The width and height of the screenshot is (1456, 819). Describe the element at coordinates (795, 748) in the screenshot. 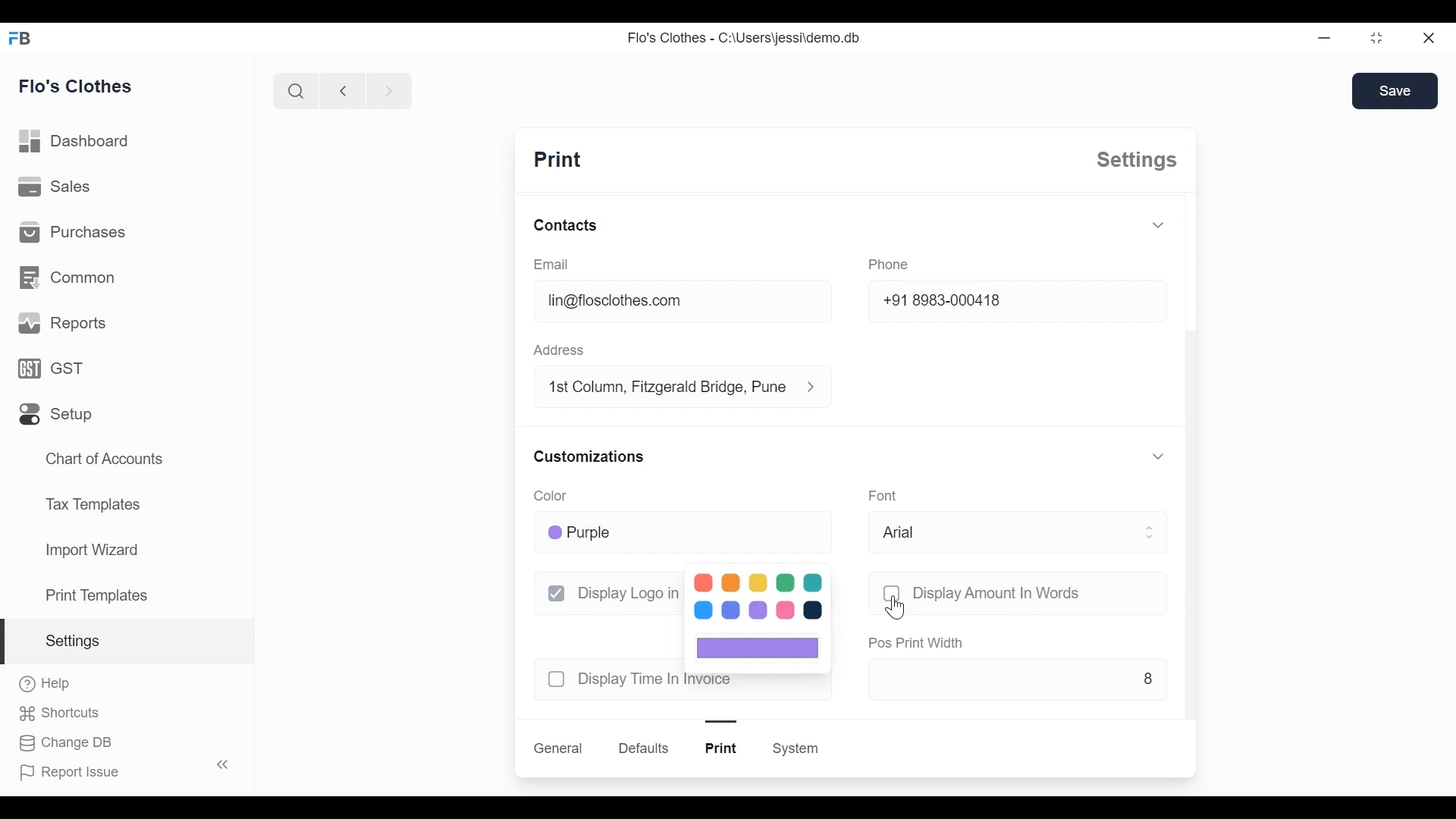

I see `system` at that location.